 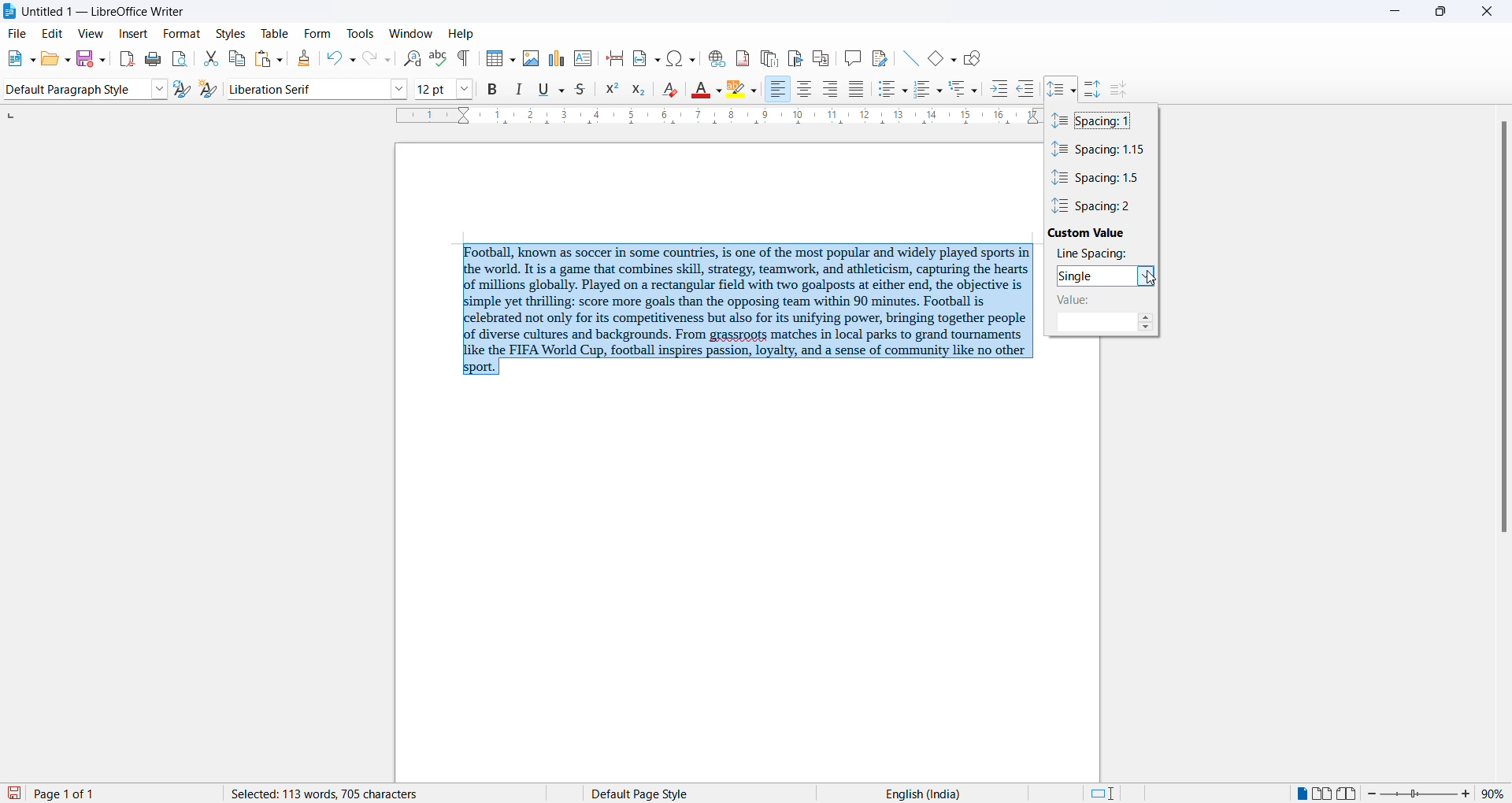 I want to click on insert table, so click(x=492, y=58).